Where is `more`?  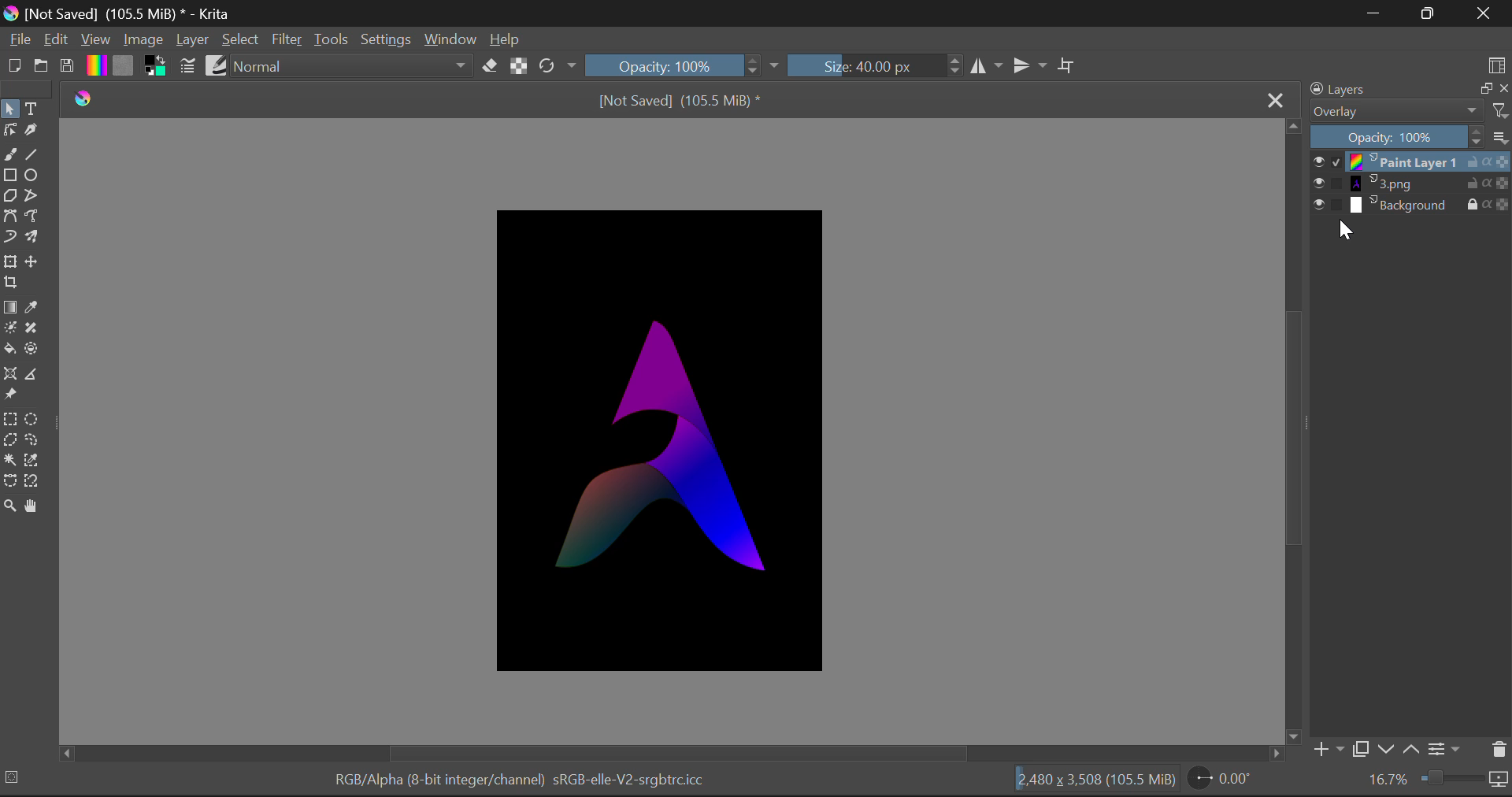
more is located at coordinates (1500, 138).